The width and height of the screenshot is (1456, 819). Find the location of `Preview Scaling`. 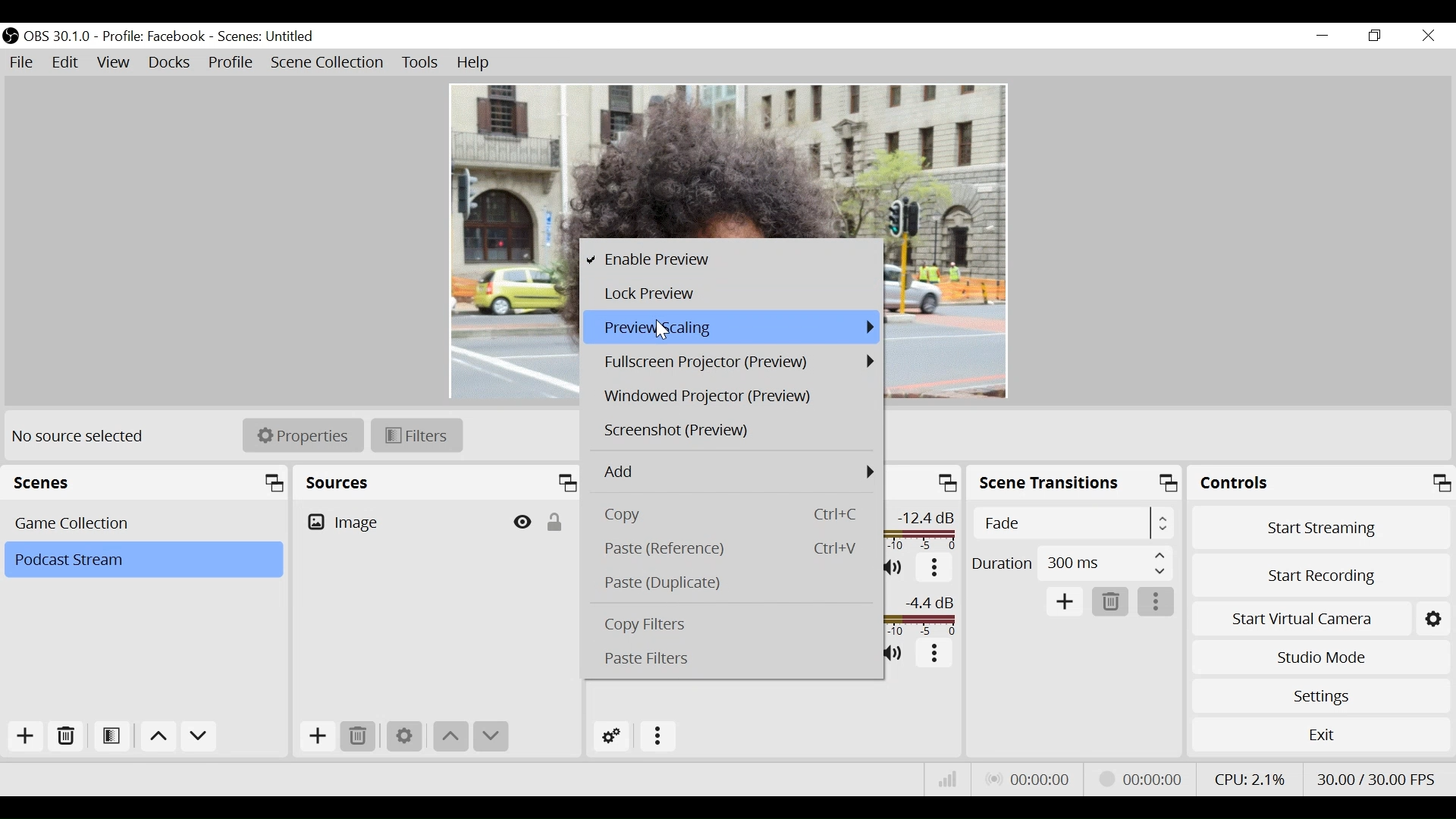

Preview Scaling is located at coordinates (732, 328).